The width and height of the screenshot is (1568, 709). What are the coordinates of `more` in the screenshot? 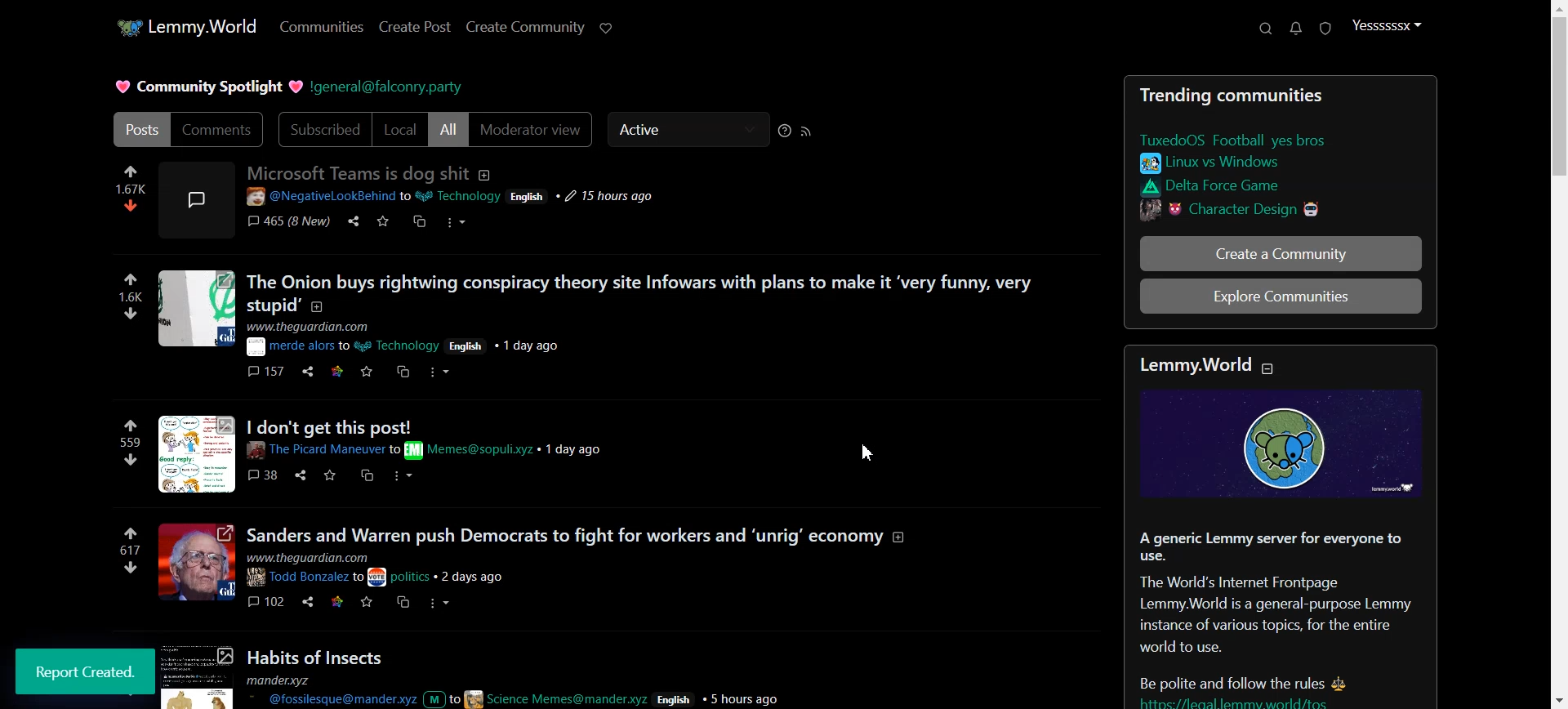 It's located at (443, 372).